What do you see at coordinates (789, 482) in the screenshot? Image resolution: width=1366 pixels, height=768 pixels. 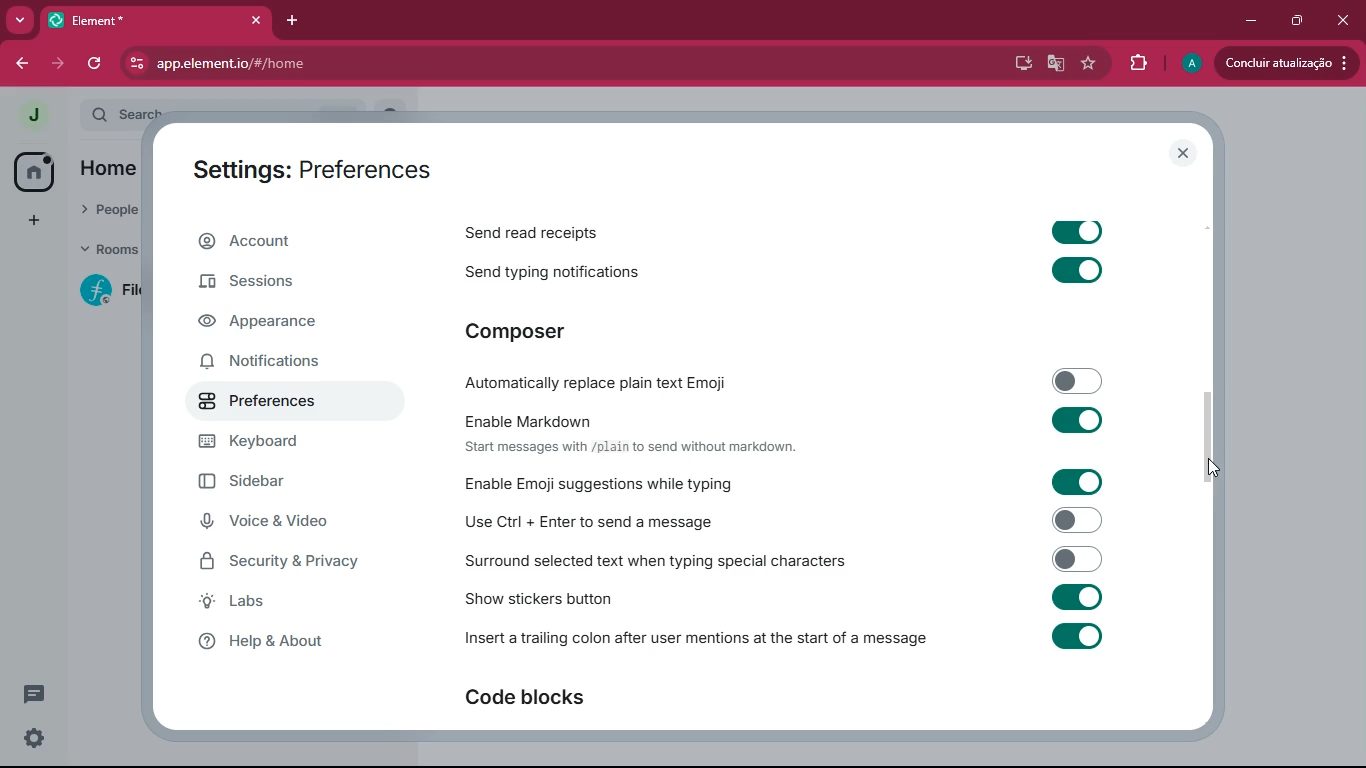 I see `Enable Emoji suggestions while typing` at bounding box center [789, 482].